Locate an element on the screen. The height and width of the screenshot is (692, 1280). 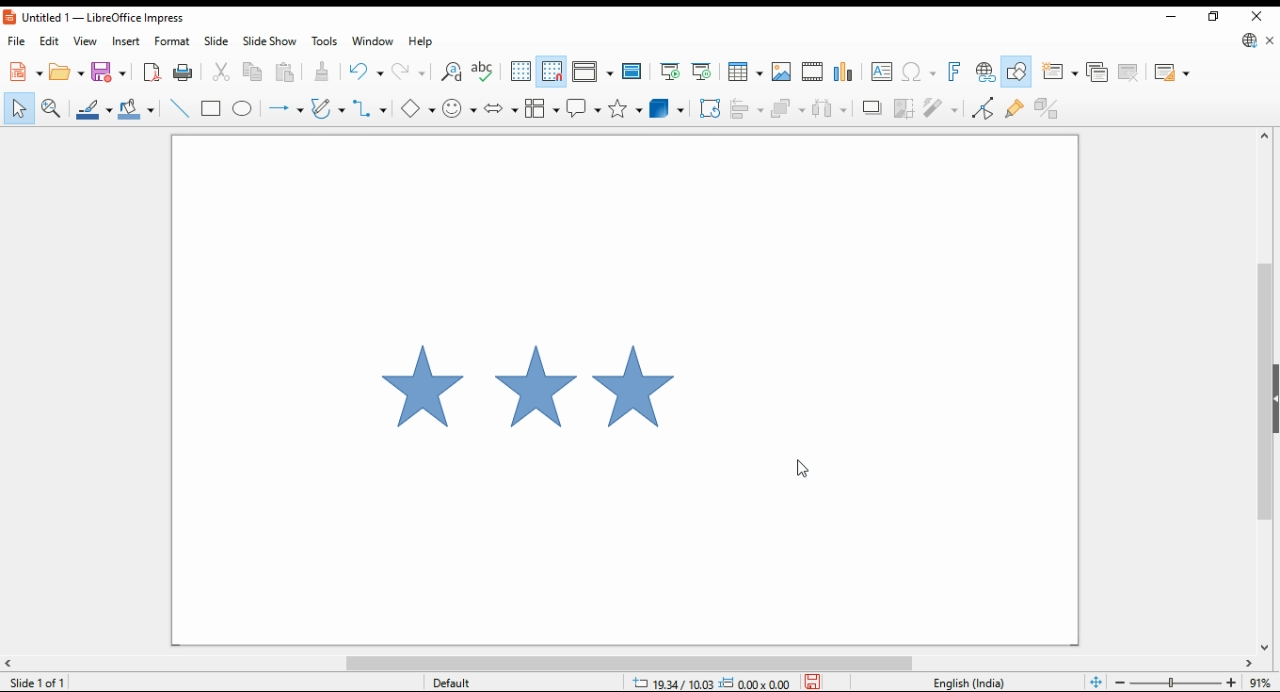
insert special characters is located at coordinates (919, 72).